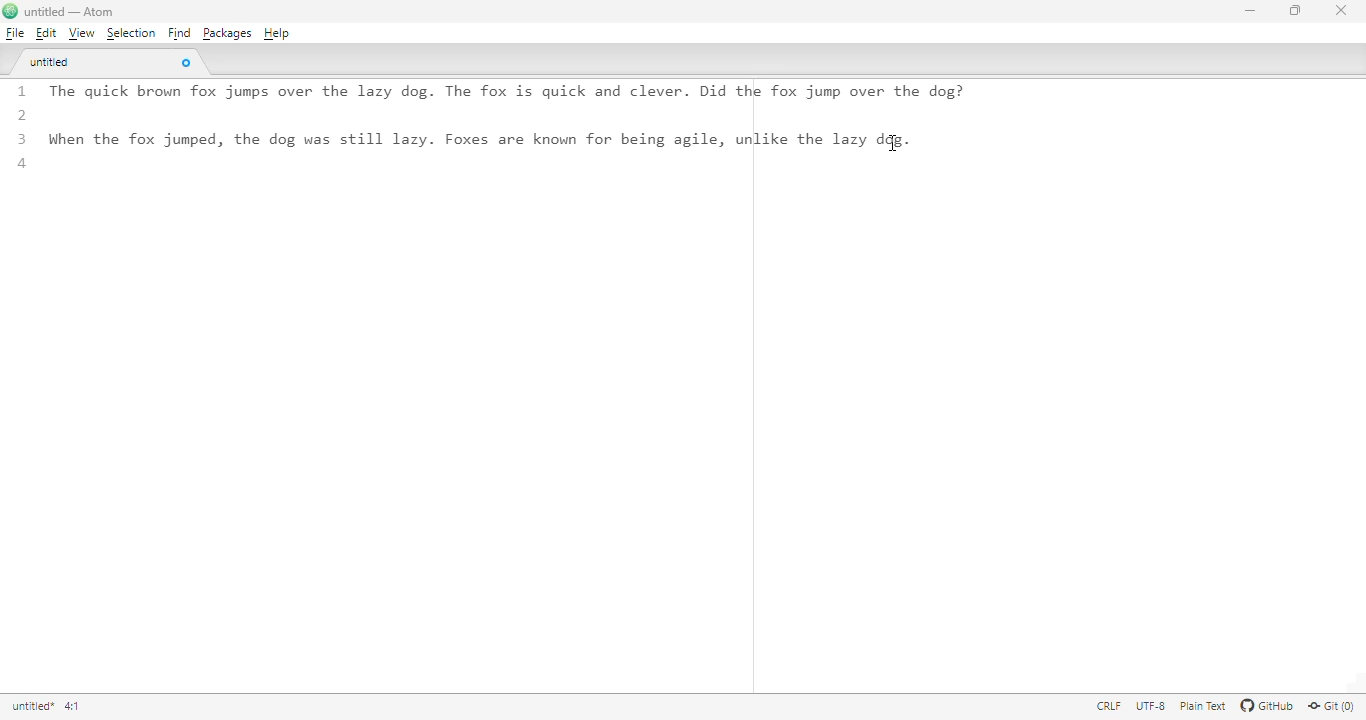 The image size is (1366, 720). Describe the element at coordinates (1204, 706) in the screenshot. I see `plain text` at that location.